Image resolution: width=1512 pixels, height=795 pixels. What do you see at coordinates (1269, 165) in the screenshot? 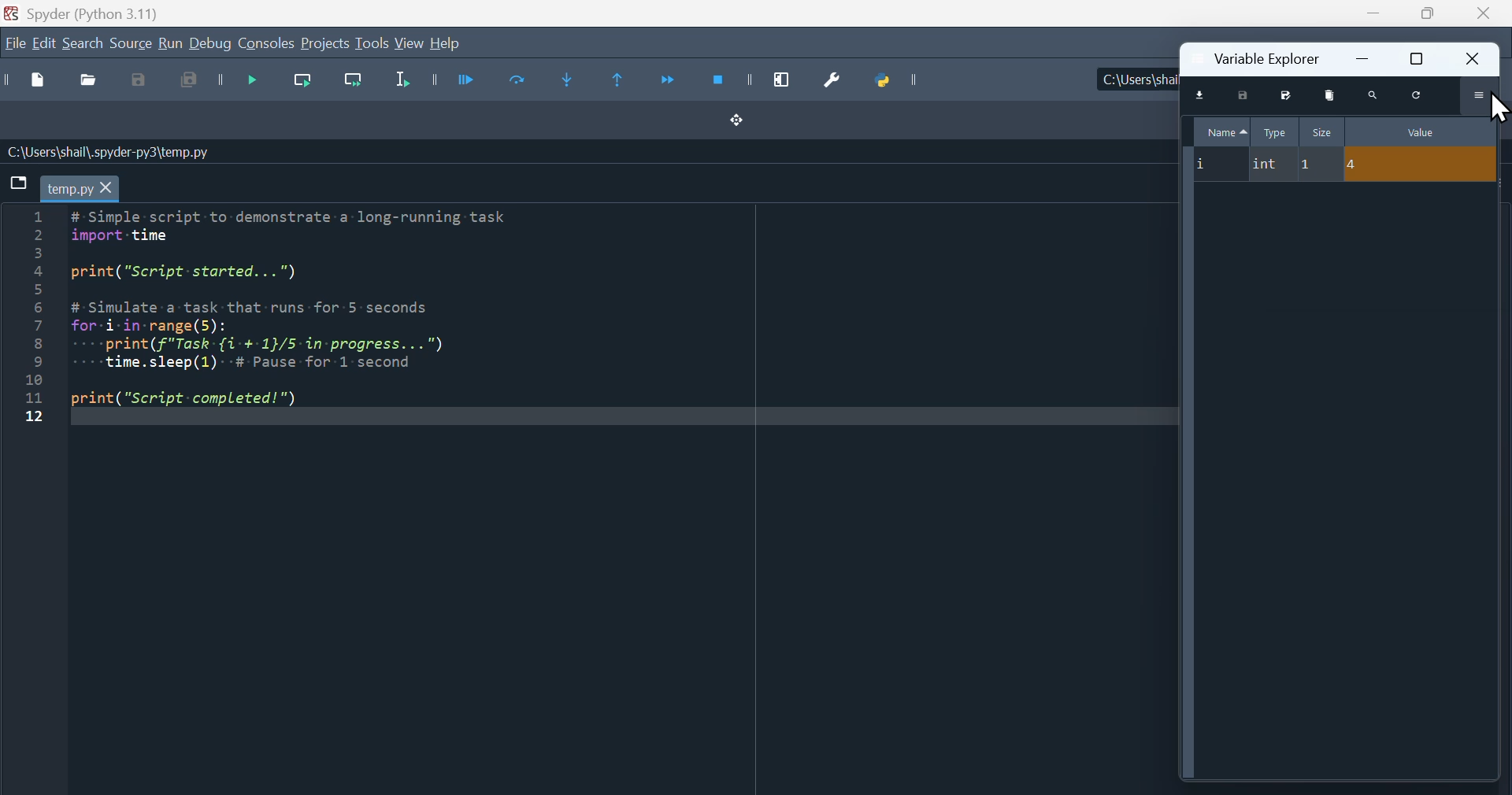
I see `int` at bounding box center [1269, 165].